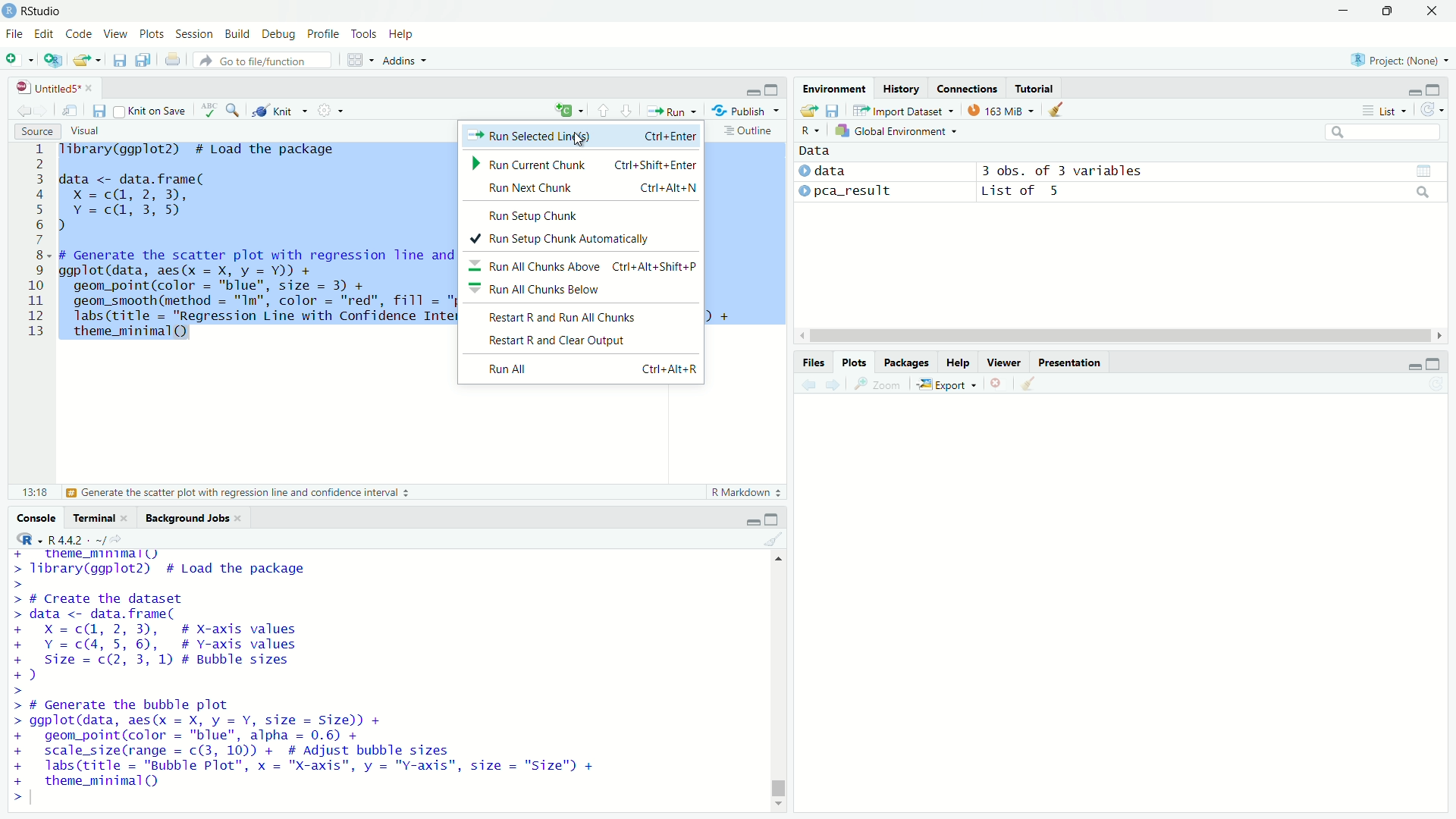  What do you see at coordinates (74, 538) in the screenshot?
I see `R4.4.2. ~` at bounding box center [74, 538].